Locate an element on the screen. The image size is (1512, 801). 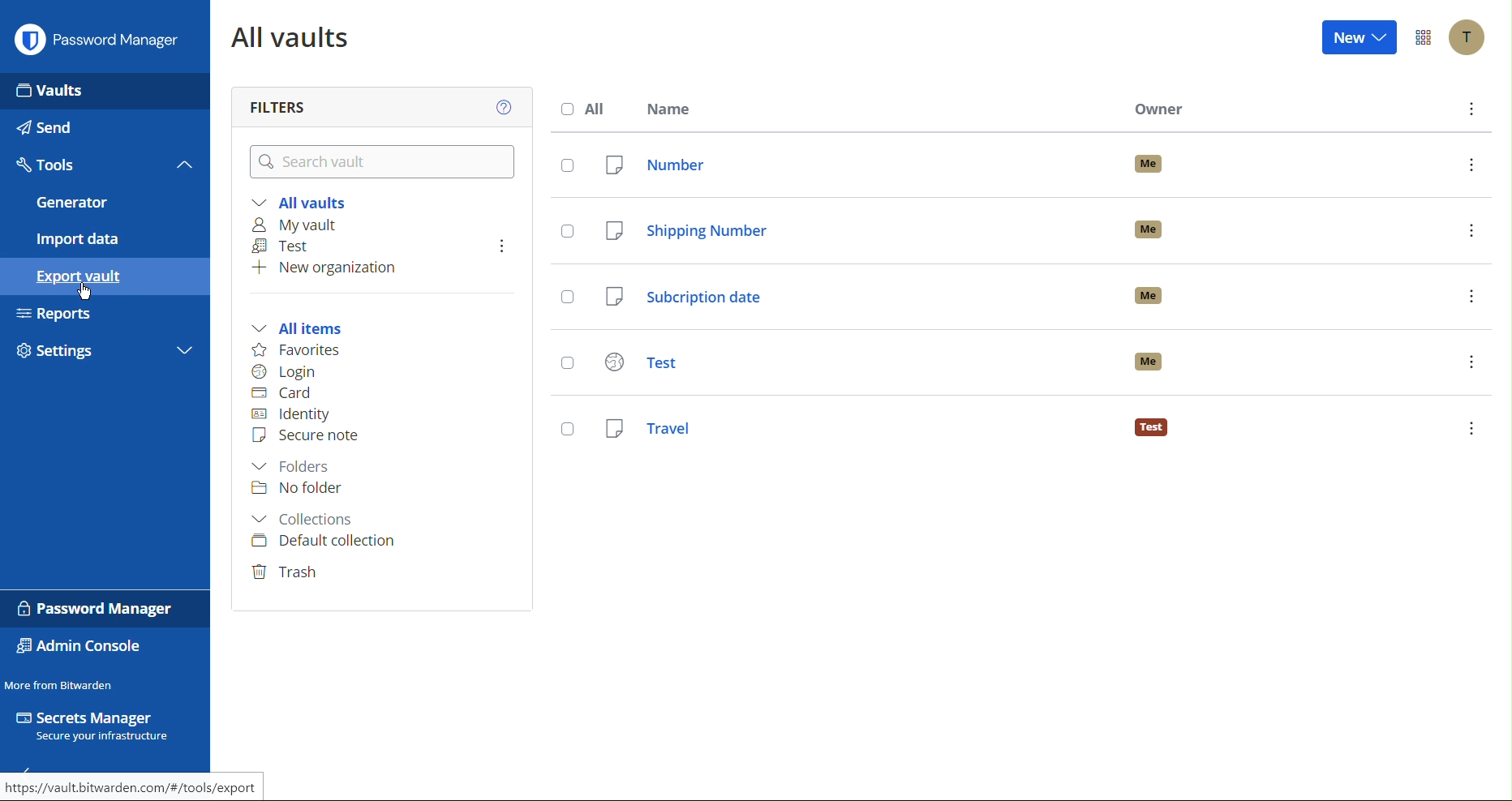
Import data is located at coordinates (107, 238).